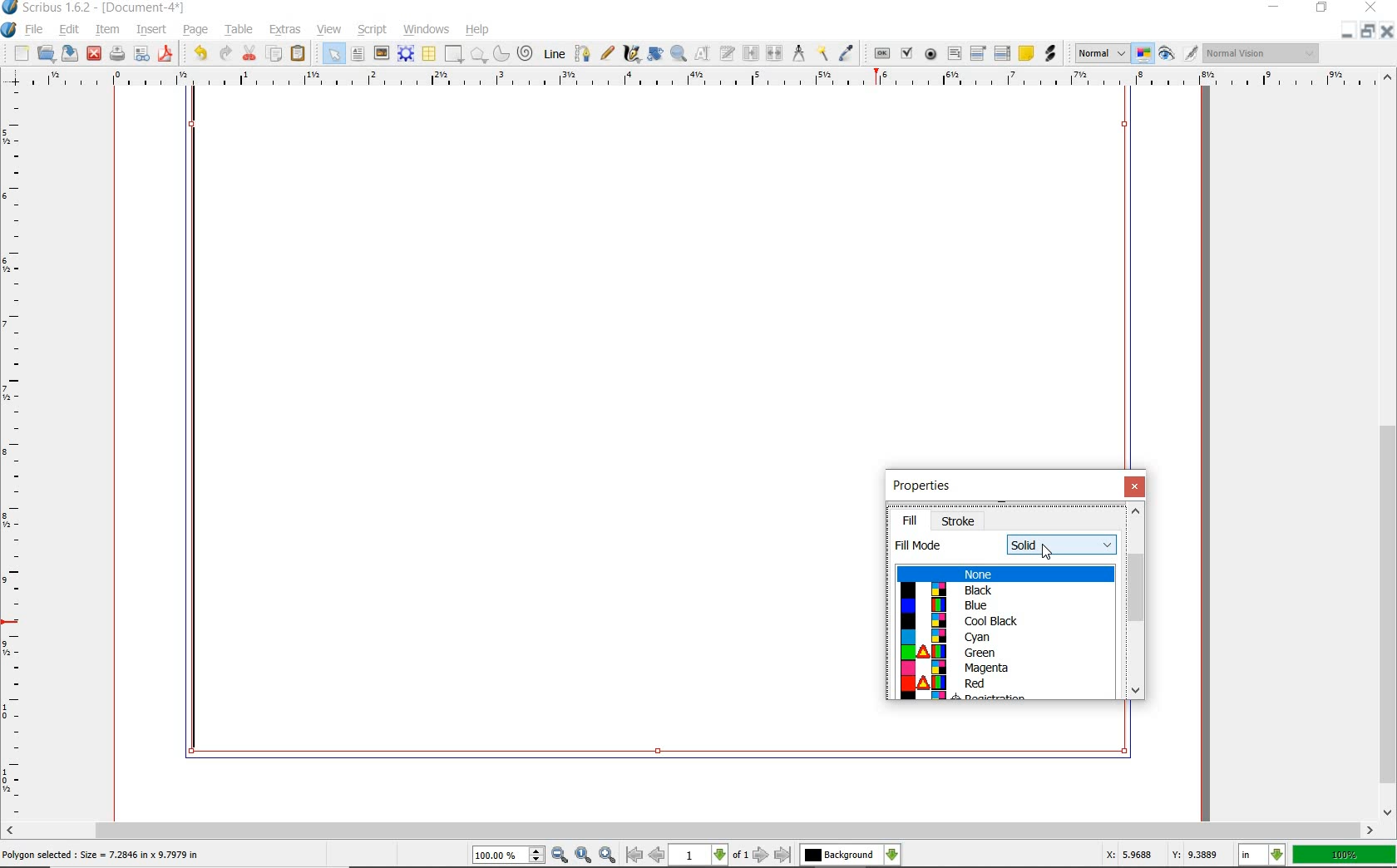 This screenshot has height=868, width=1397. Describe the element at coordinates (1002, 653) in the screenshot. I see `Green` at that location.